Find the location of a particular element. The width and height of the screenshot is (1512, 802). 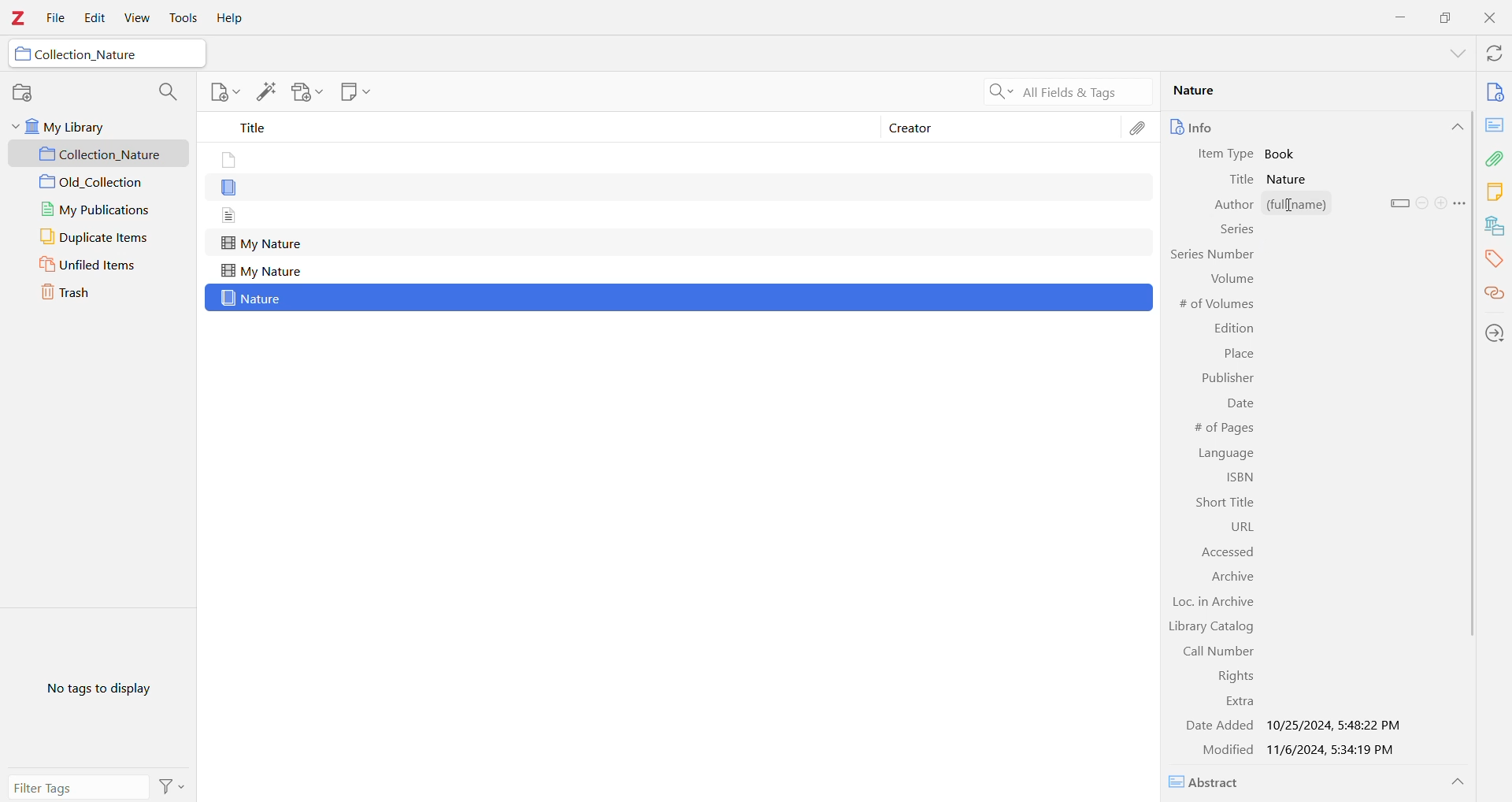

Attachments is located at coordinates (1140, 132).